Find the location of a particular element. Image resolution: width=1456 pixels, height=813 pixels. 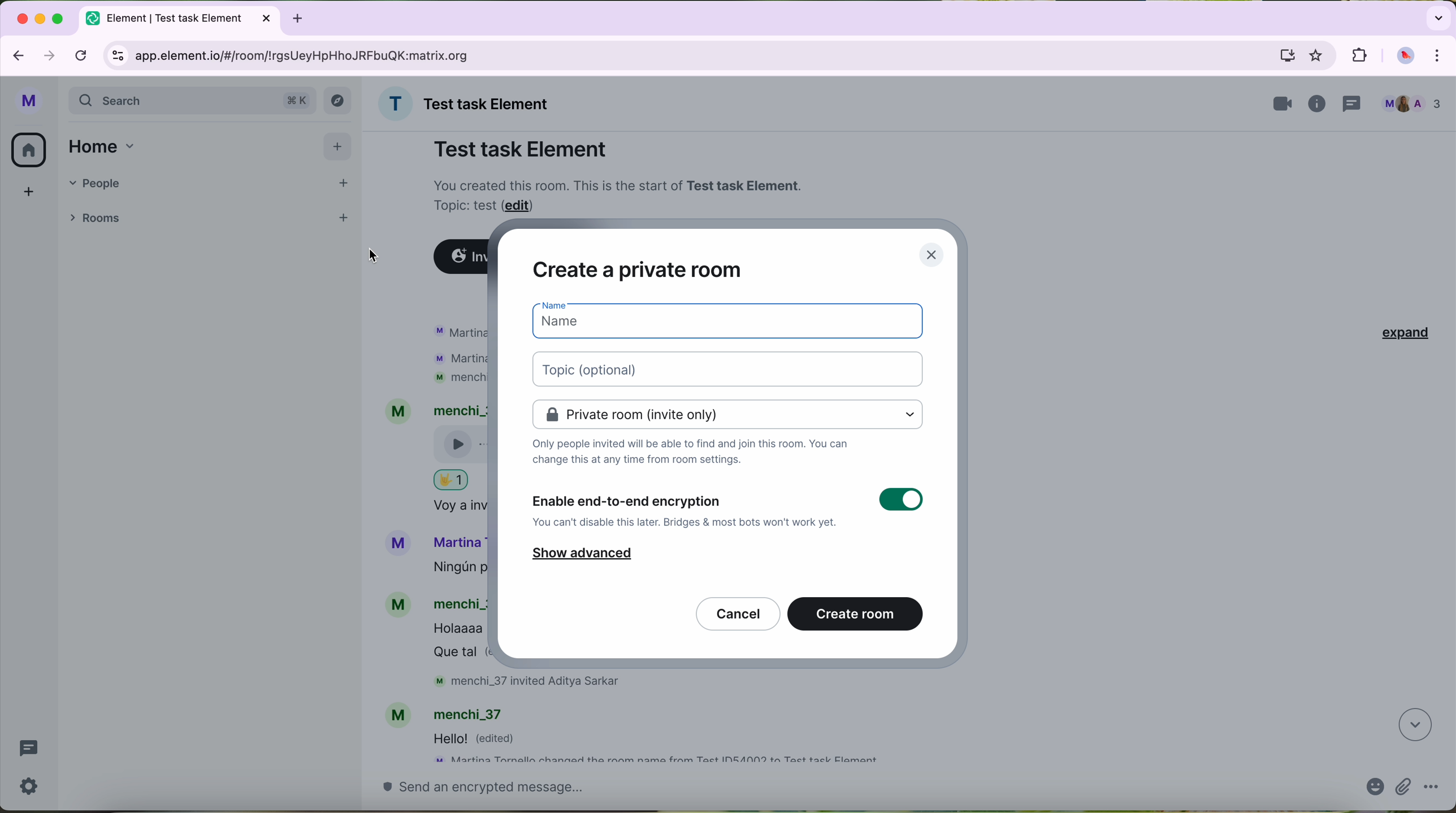

people is located at coordinates (1411, 103).